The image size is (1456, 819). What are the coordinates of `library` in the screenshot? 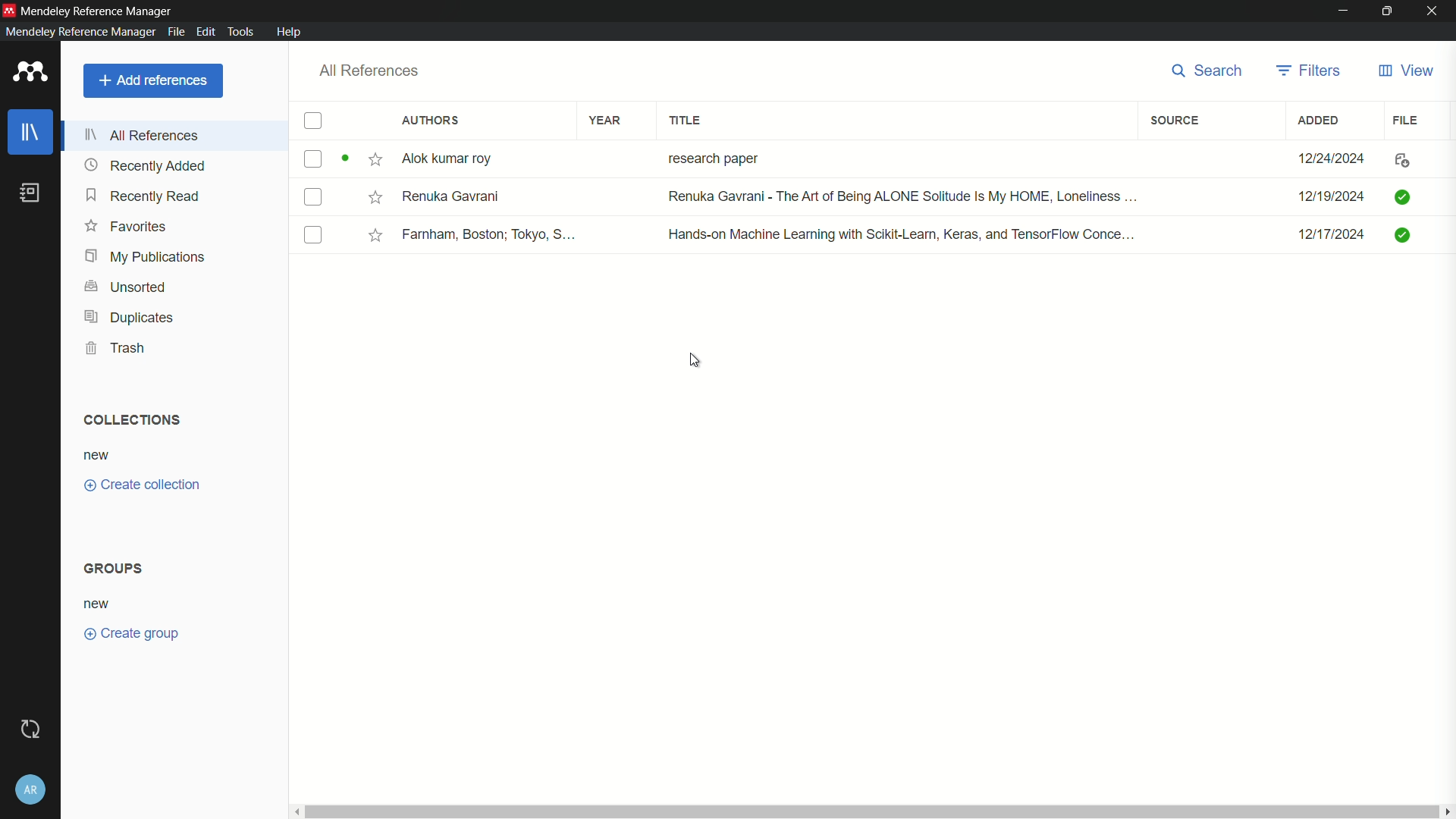 It's located at (31, 132).